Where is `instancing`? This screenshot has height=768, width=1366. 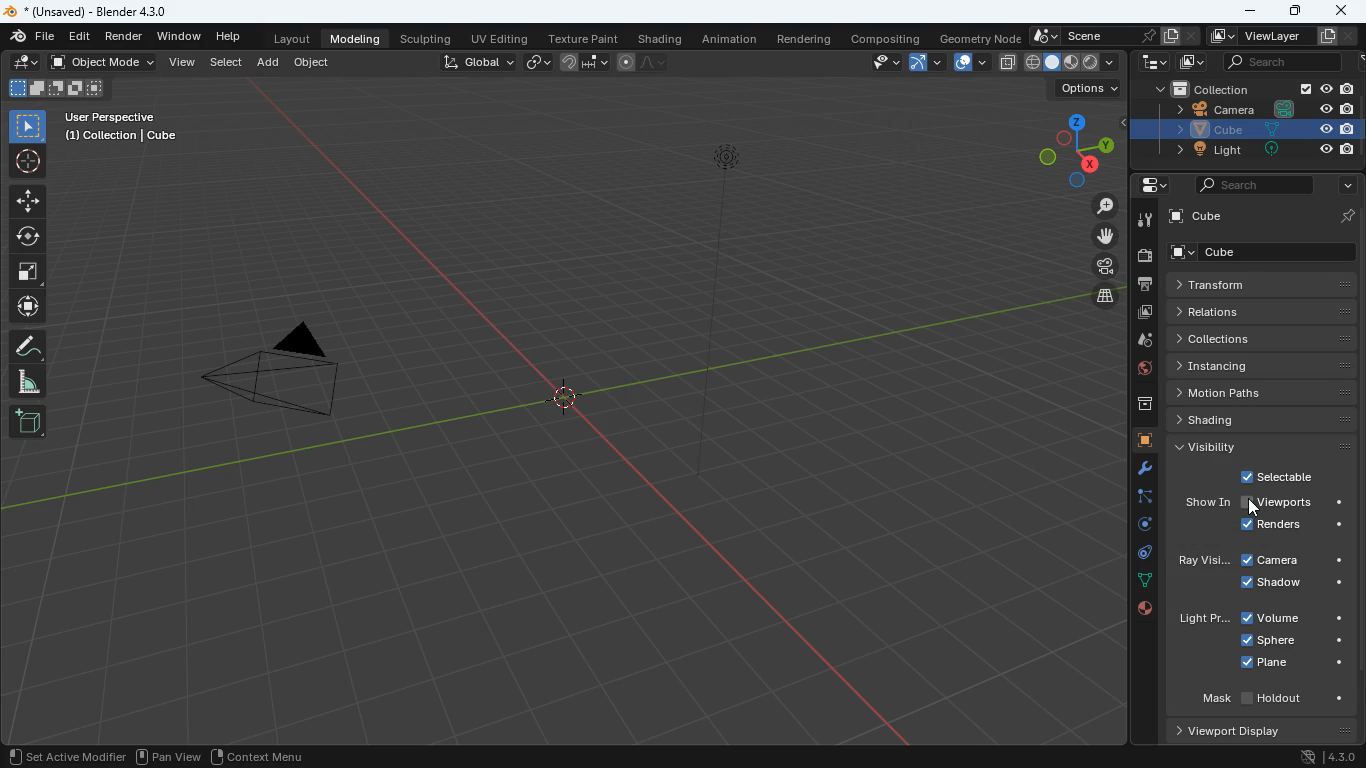
instancing is located at coordinates (1262, 366).